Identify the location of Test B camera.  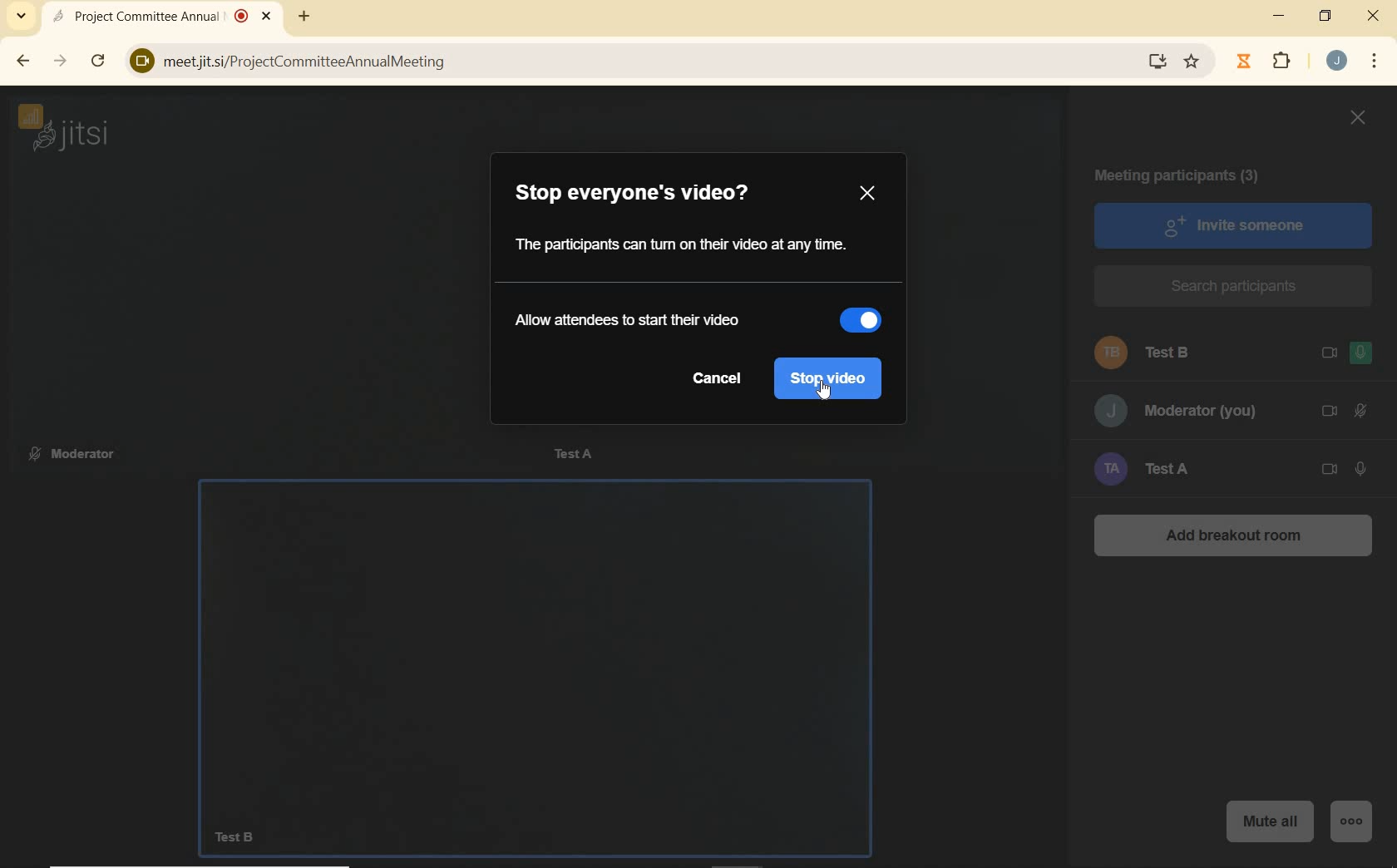
(536, 645).